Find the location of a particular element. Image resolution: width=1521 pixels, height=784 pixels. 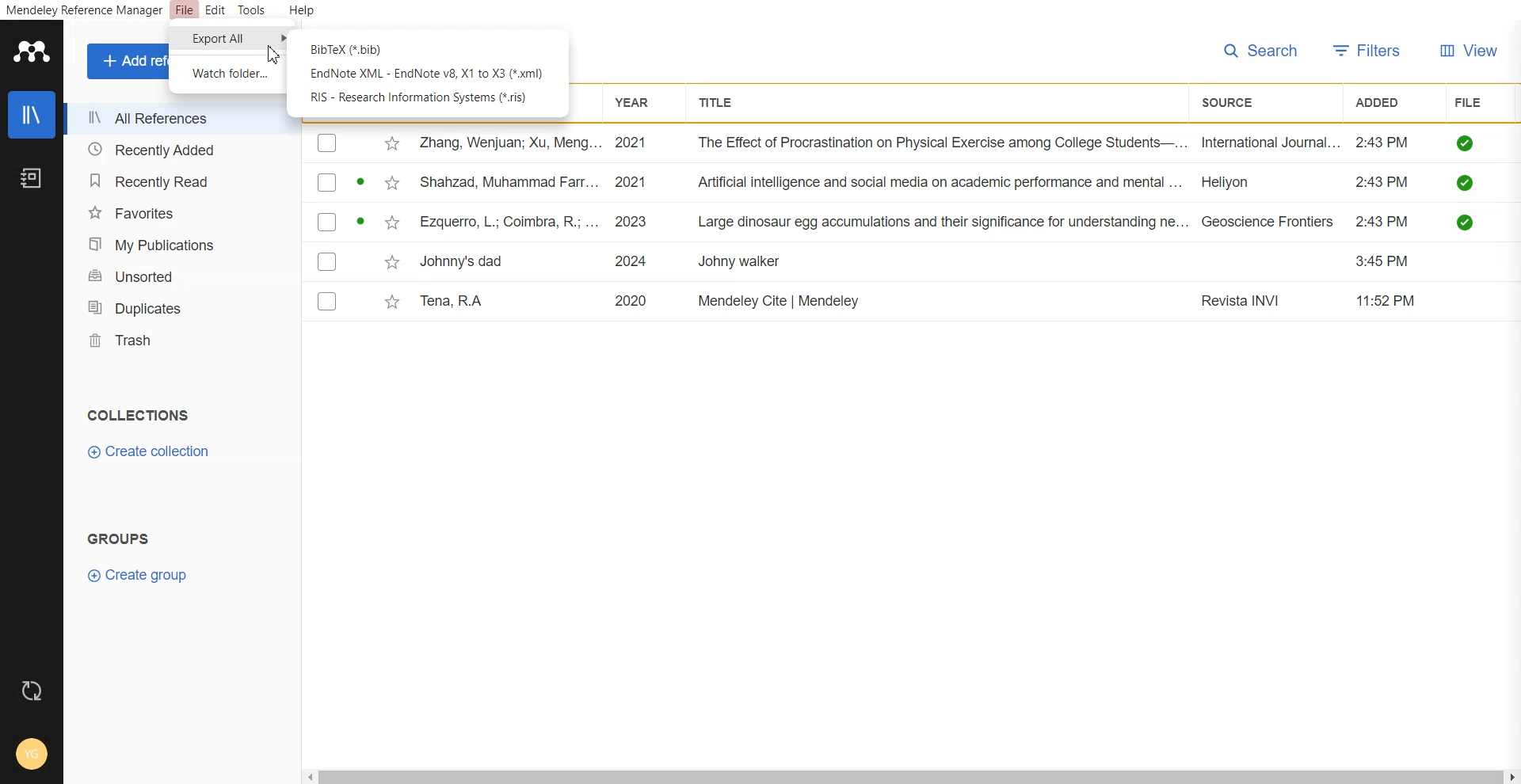

EndNote XML - EndNote v8, X1 to X3 (*xml) is located at coordinates (426, 74).